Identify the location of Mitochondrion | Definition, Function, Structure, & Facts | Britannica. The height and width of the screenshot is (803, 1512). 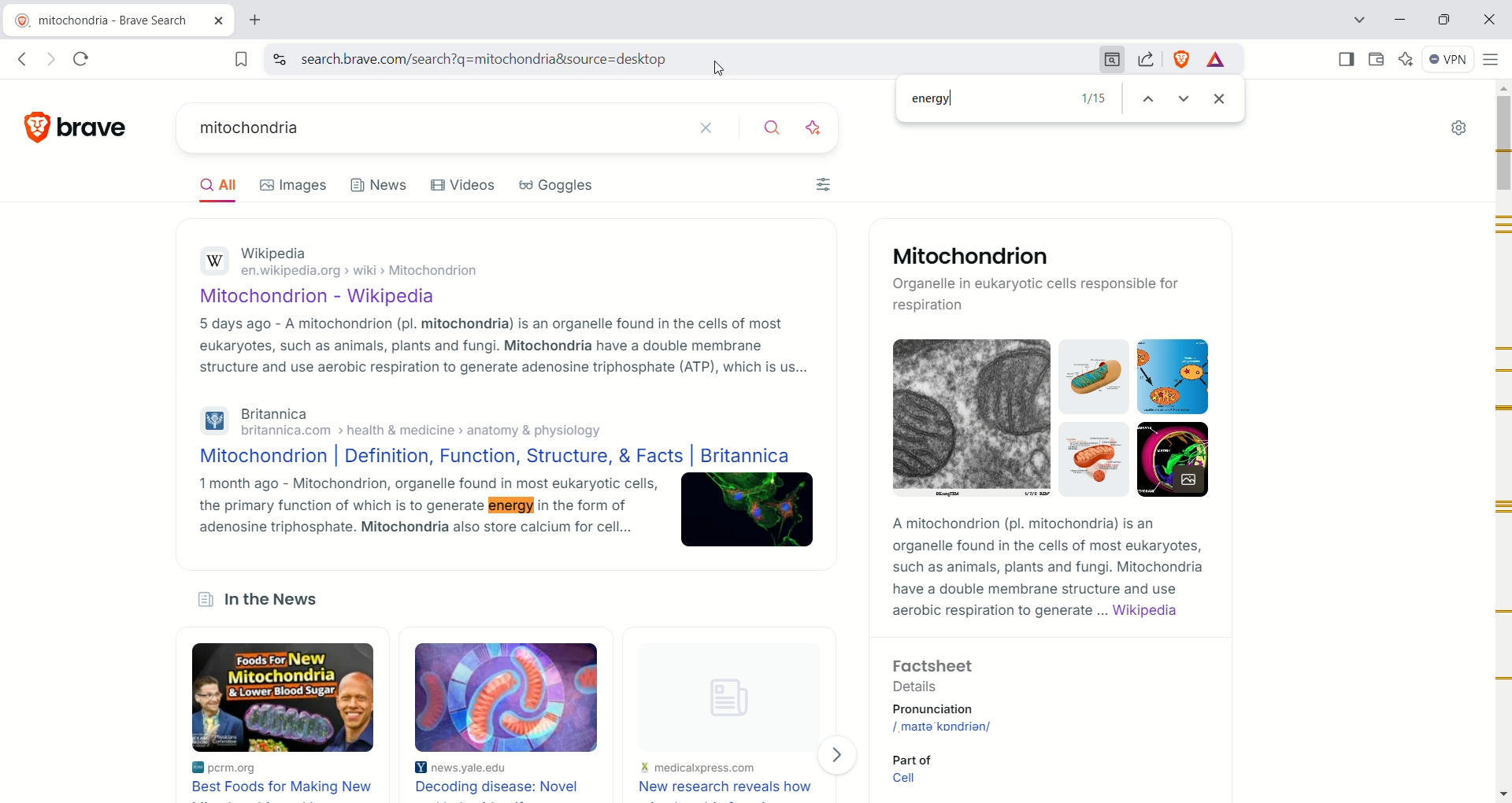
(495, 455).